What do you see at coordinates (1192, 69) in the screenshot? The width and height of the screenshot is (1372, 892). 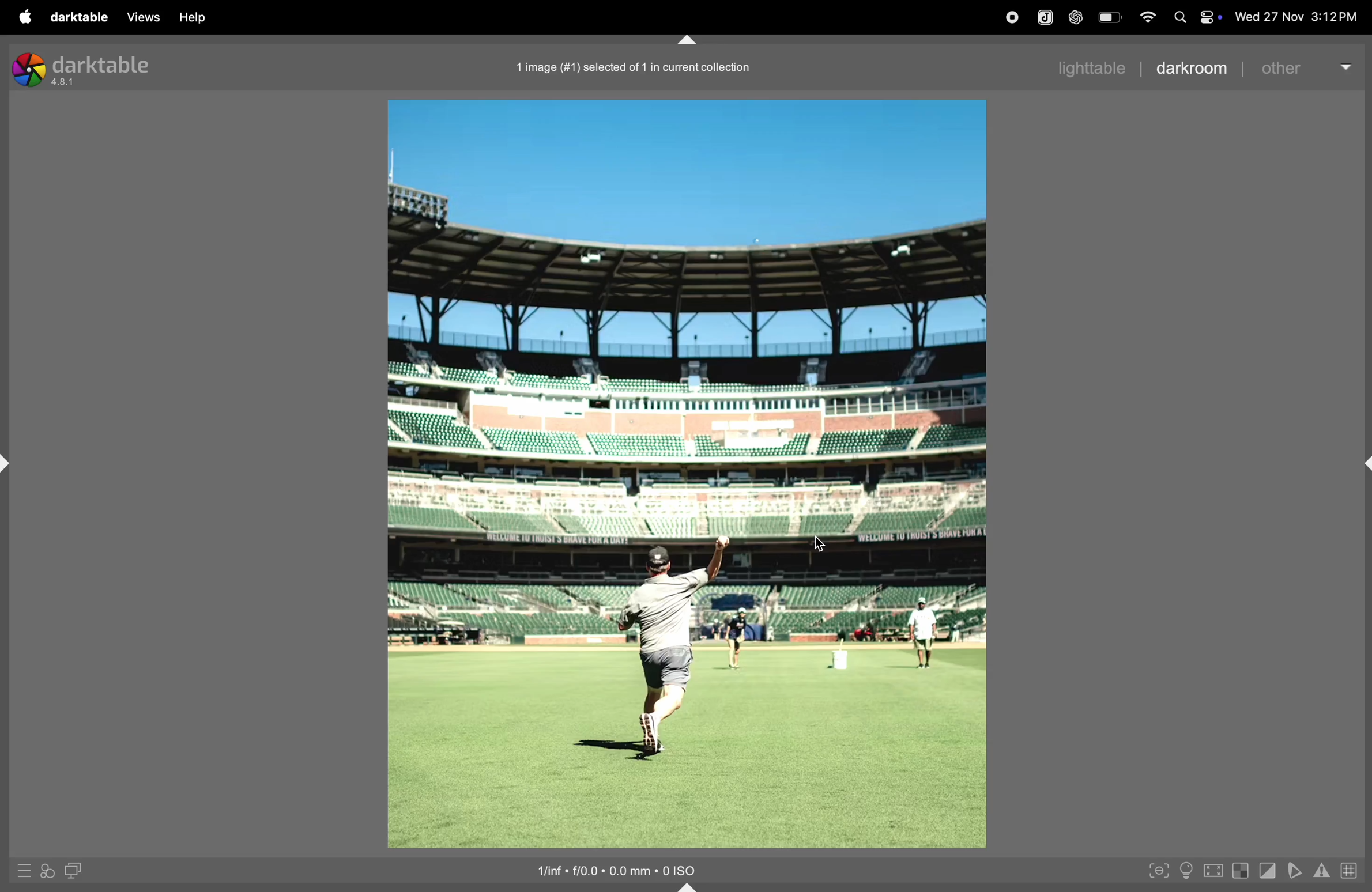 I see `darkroom` at bounding box center [1192, 69].